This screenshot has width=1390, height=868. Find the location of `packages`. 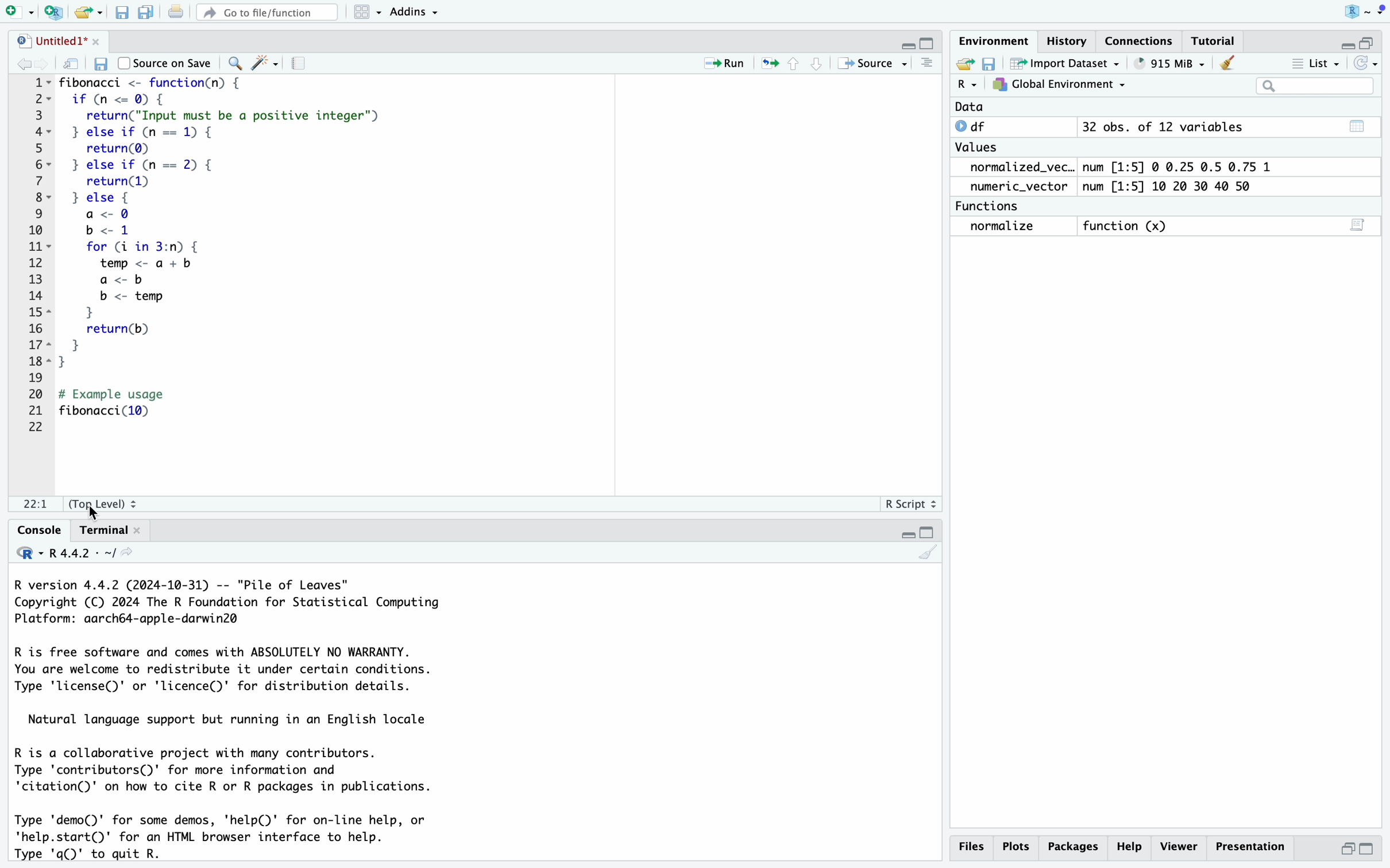

packages is located at coordinates (1073, 848).